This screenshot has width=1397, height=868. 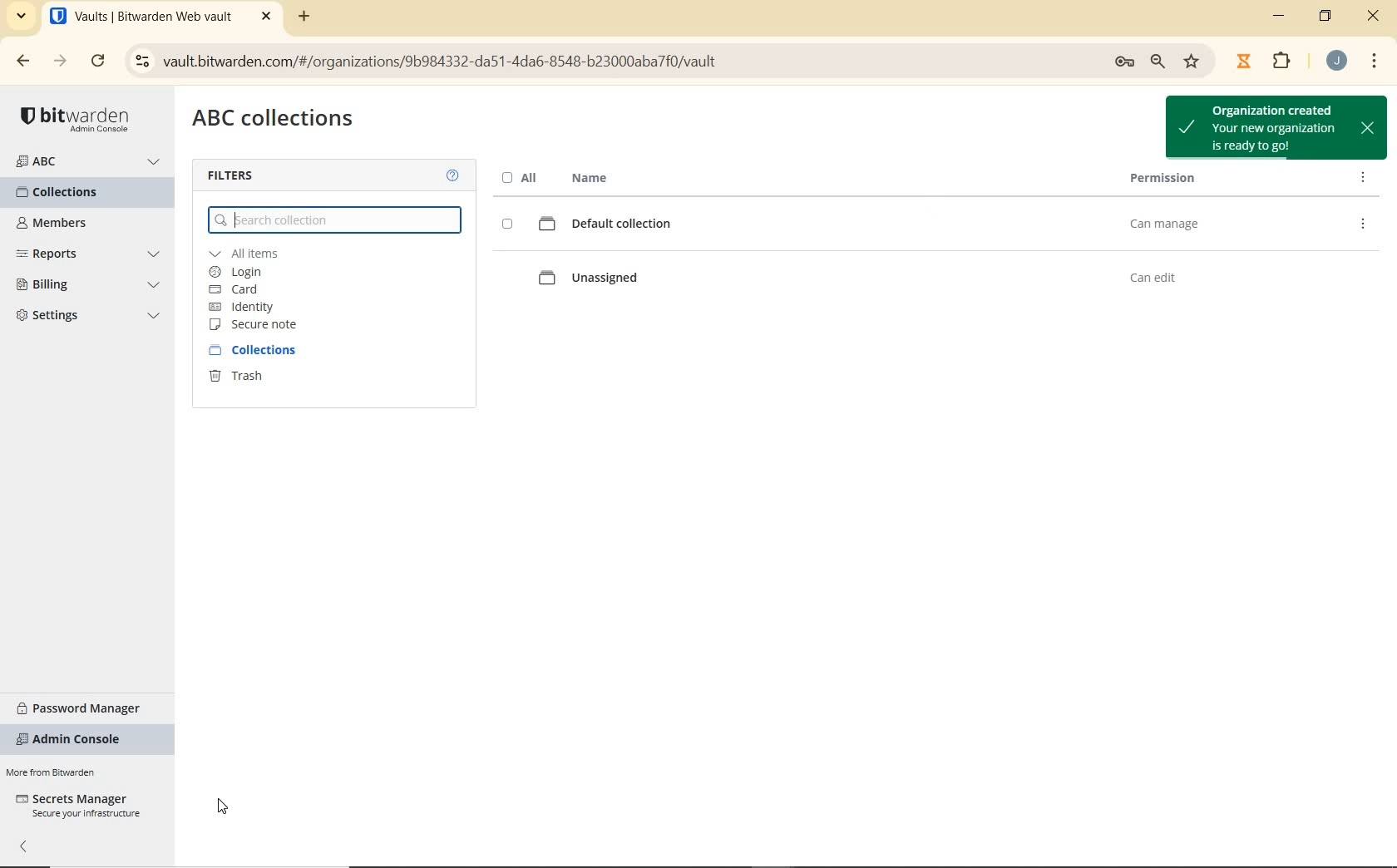 I want to click on password manager, so click(x=82, y=120).